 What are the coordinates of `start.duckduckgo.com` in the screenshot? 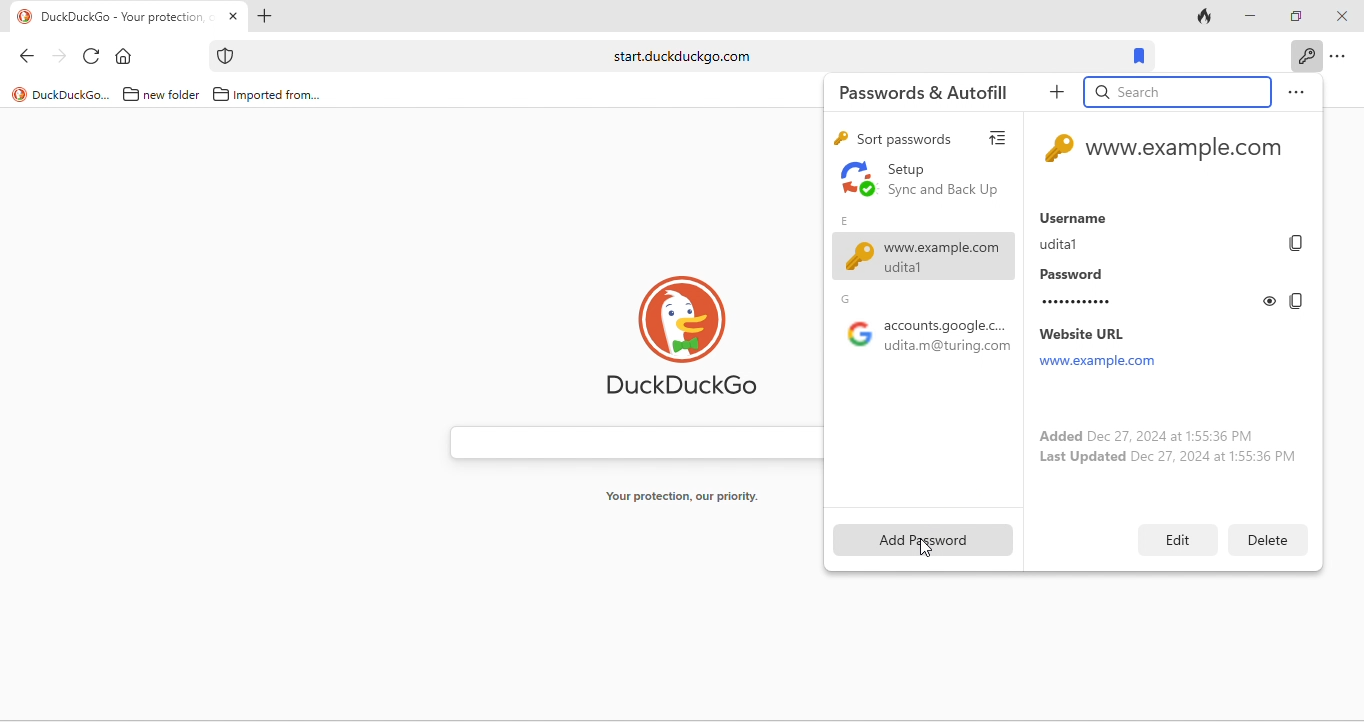 It's located at (680, 56).